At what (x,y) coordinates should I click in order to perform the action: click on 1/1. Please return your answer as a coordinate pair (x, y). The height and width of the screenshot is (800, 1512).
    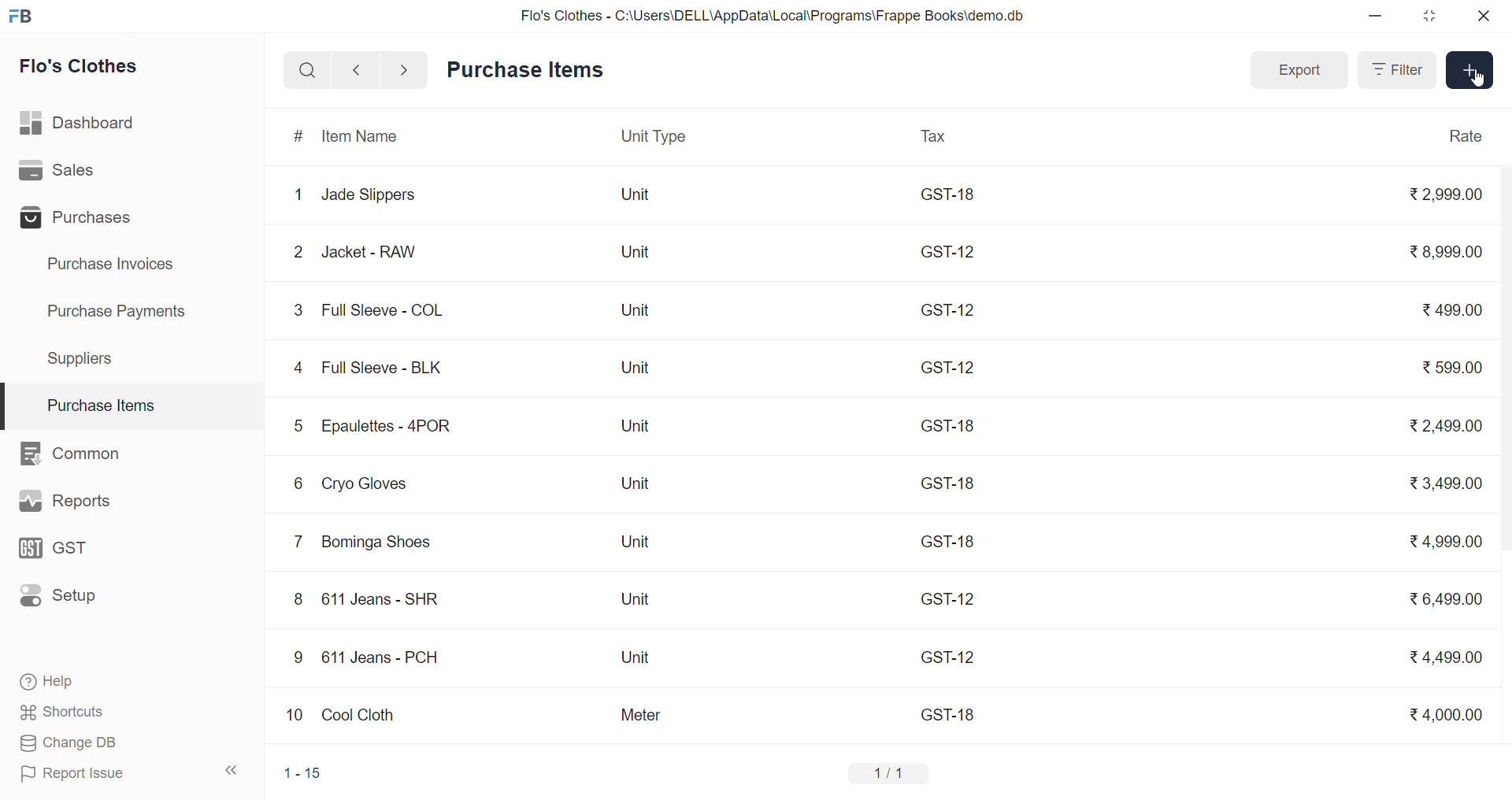
    Looking at the image, I should click on (887, 774).